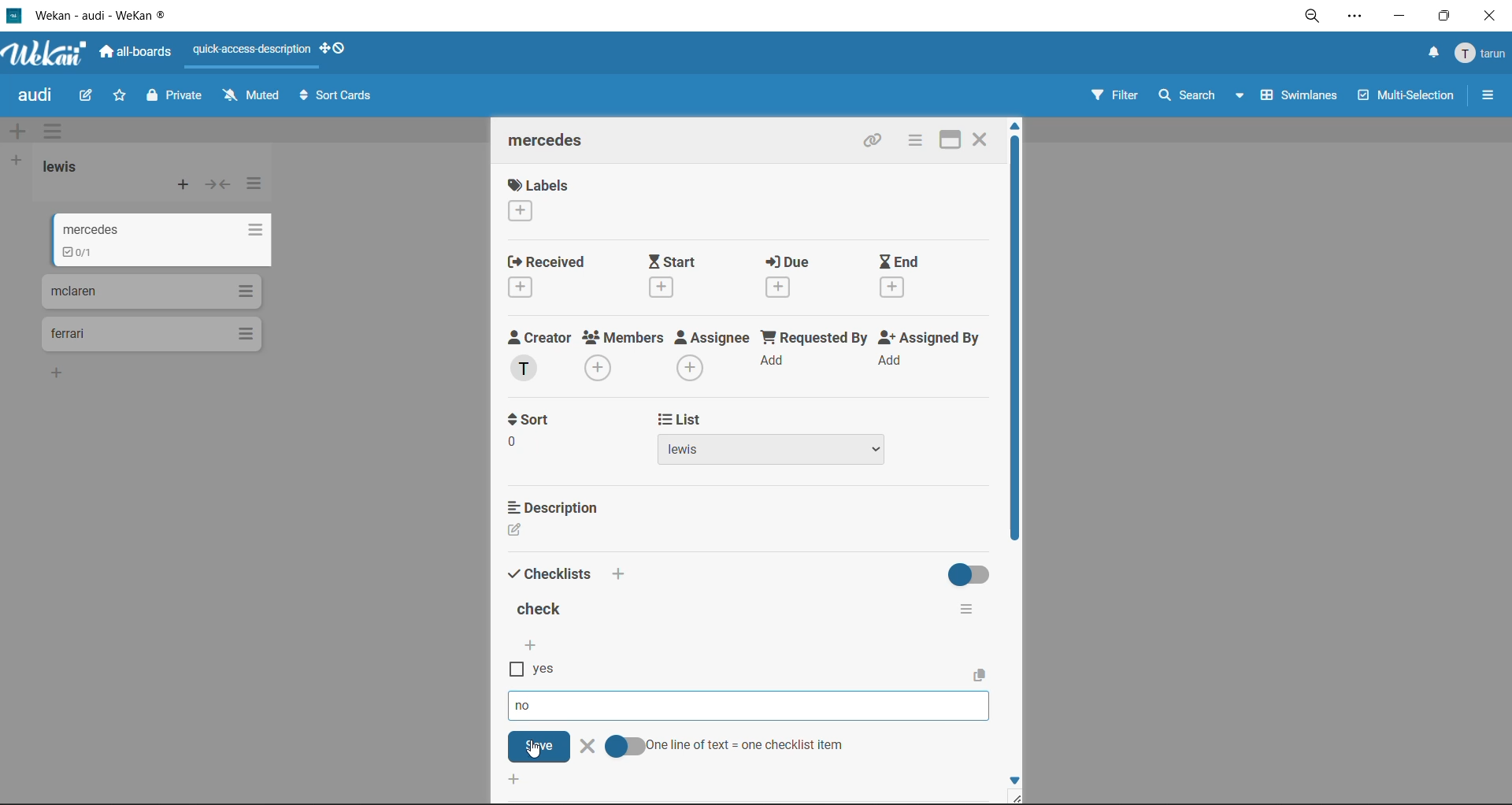 The image size is (1512, 805). What do you see at coordinates (902, 277) in the screenshot?
I see `end` at bounding box center [902, 277].